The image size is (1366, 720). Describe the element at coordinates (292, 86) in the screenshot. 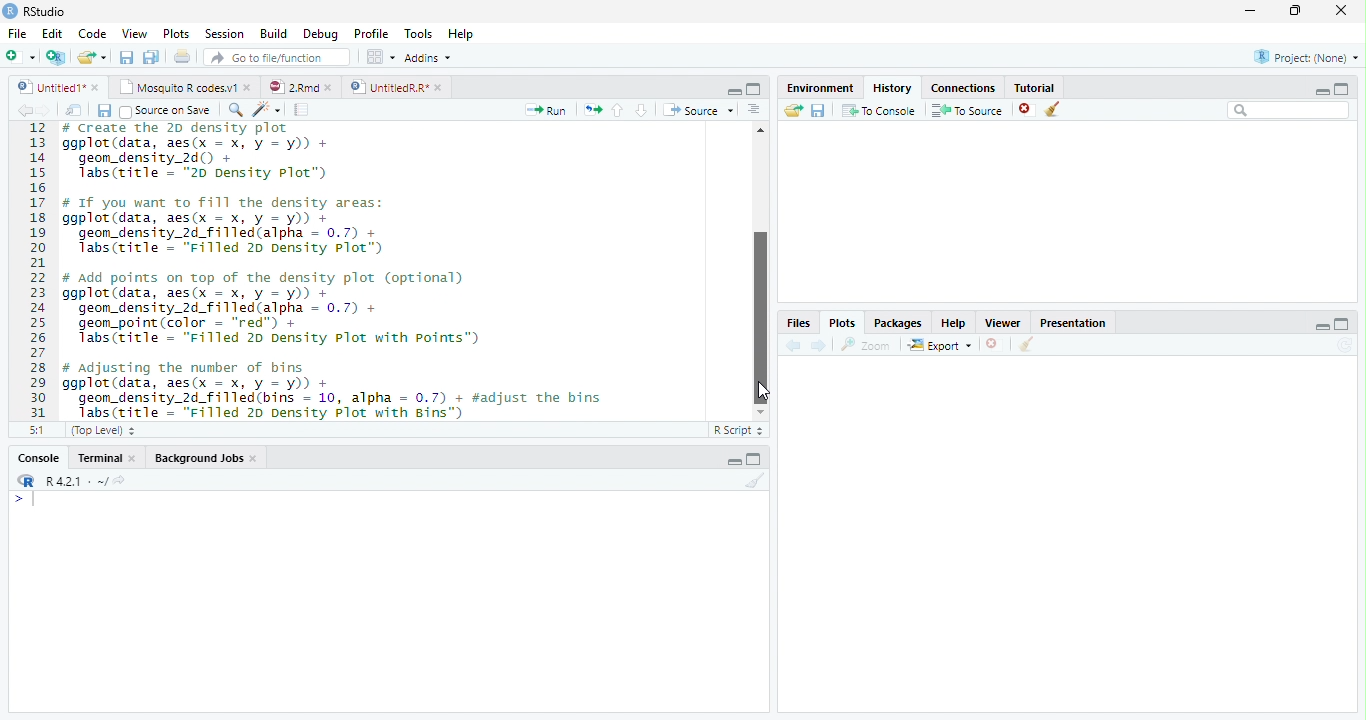

I see `2Rmd` at that location.